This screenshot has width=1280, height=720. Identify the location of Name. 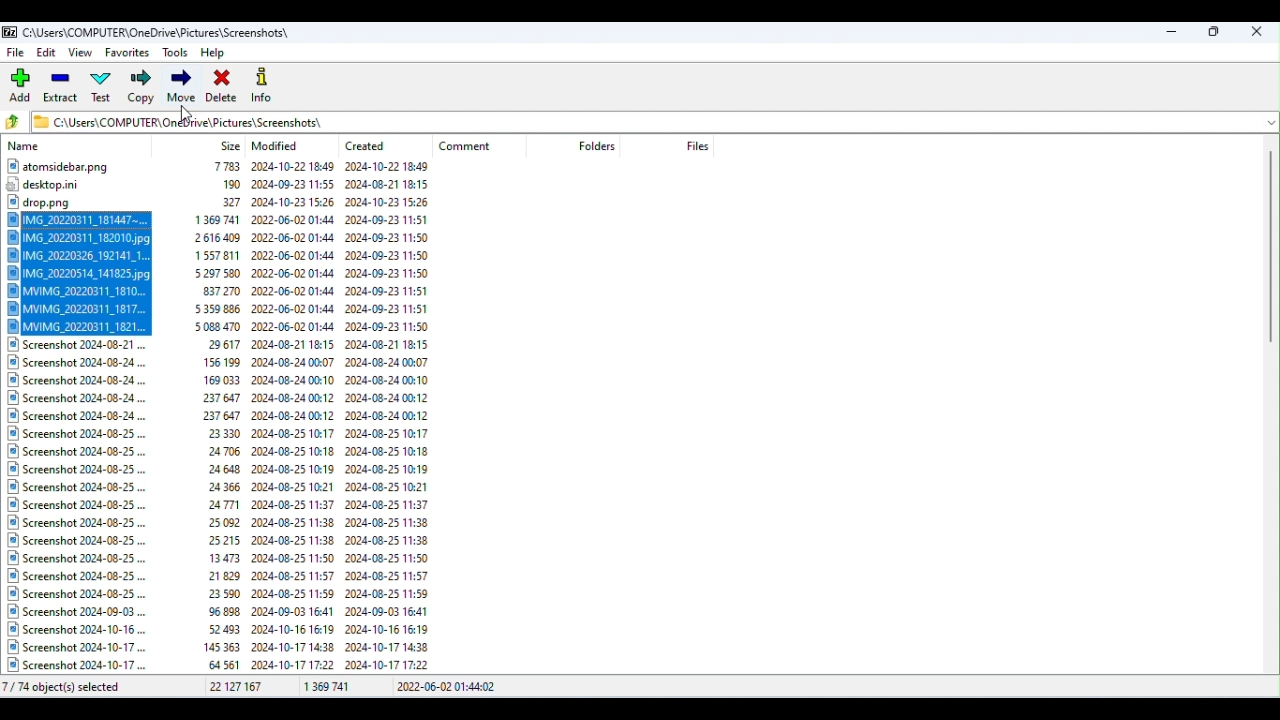
(27, 147).